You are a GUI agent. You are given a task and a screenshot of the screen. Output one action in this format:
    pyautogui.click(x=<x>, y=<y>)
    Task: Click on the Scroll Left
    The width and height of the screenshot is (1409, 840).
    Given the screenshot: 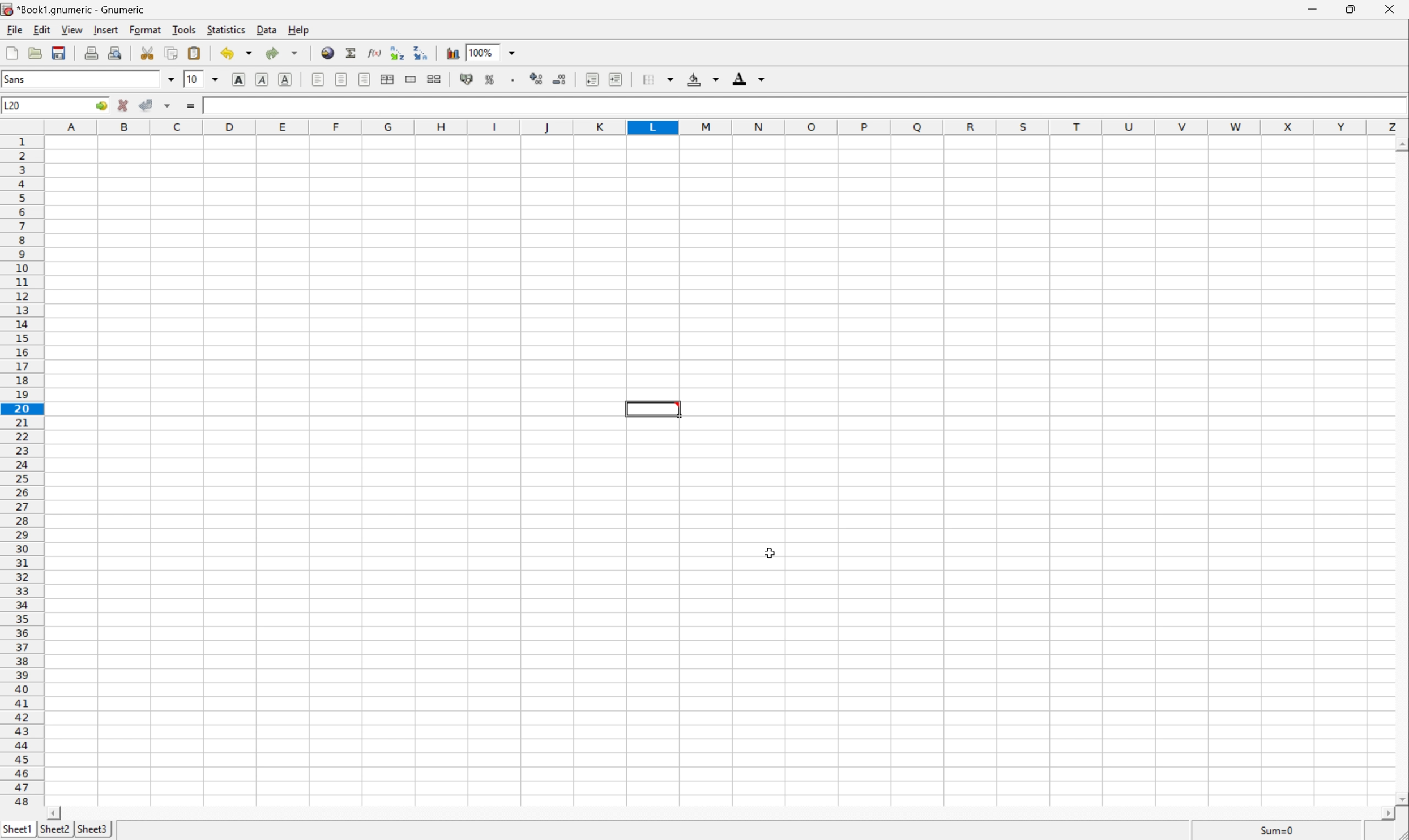 What is the action you would take?
    pyautogui.click(x=55, y=813)
    